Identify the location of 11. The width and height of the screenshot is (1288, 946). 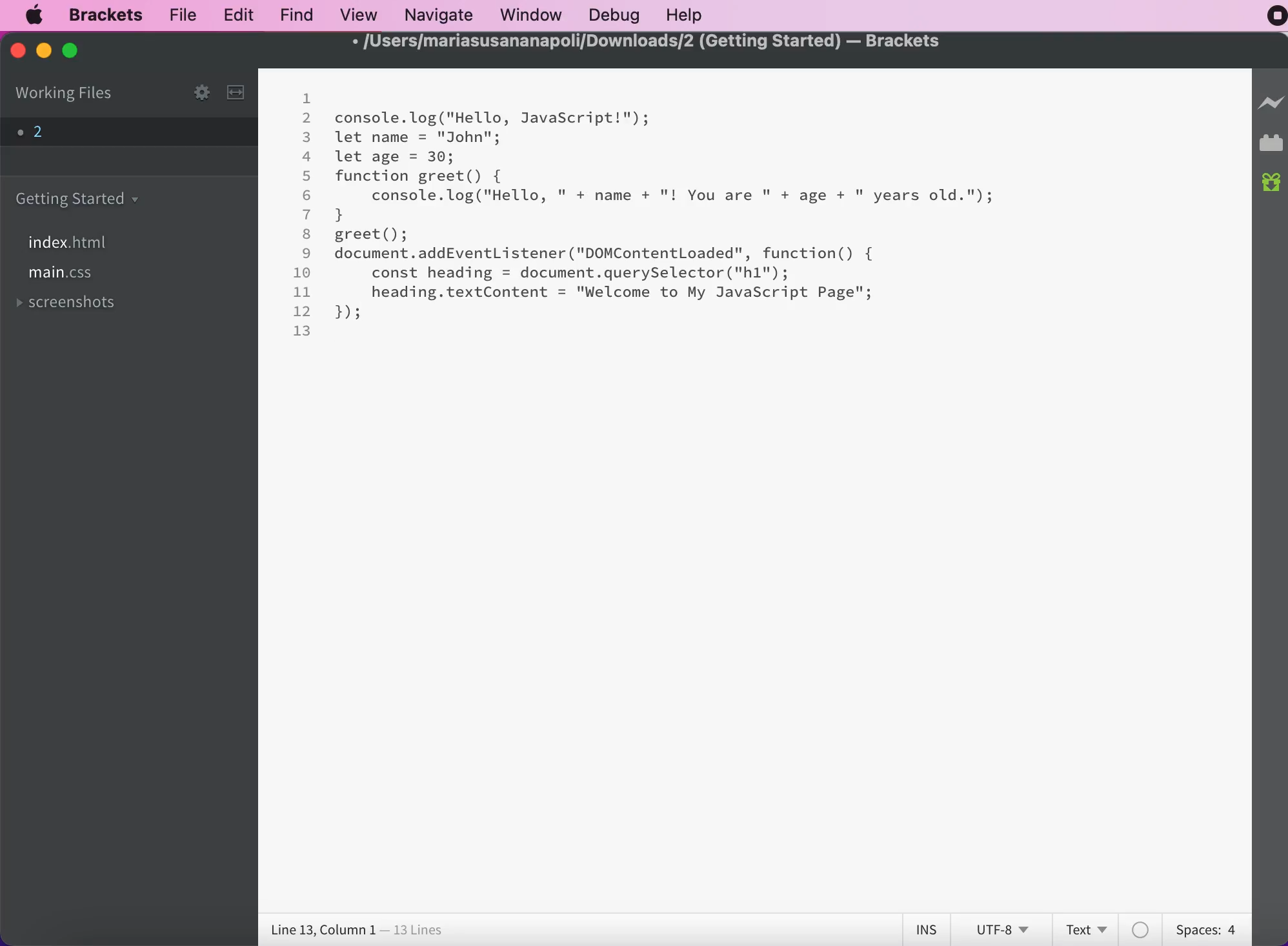
(302, 292).